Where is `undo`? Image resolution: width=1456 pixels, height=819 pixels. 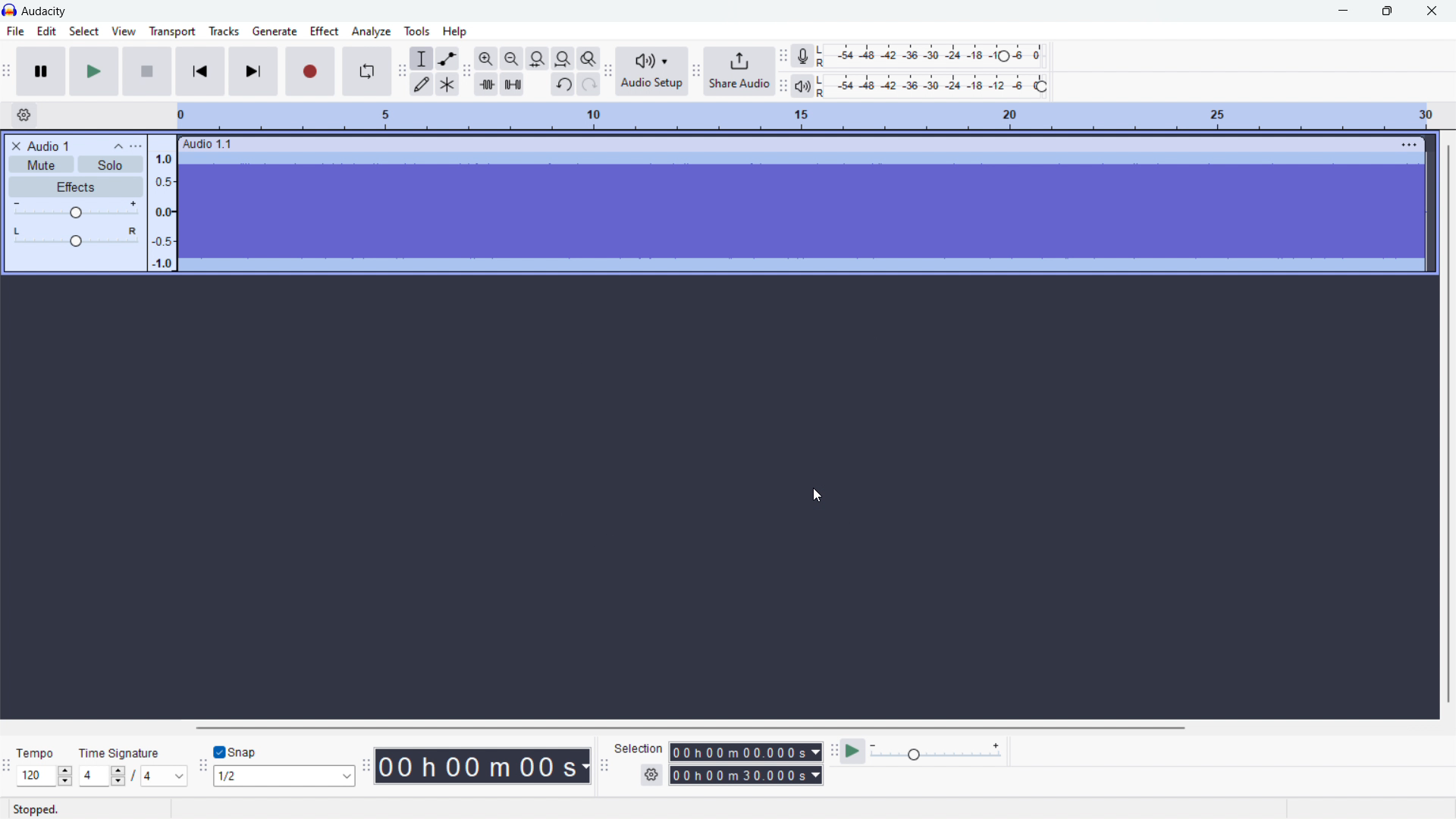
undo is located at coordinates (563, 84).